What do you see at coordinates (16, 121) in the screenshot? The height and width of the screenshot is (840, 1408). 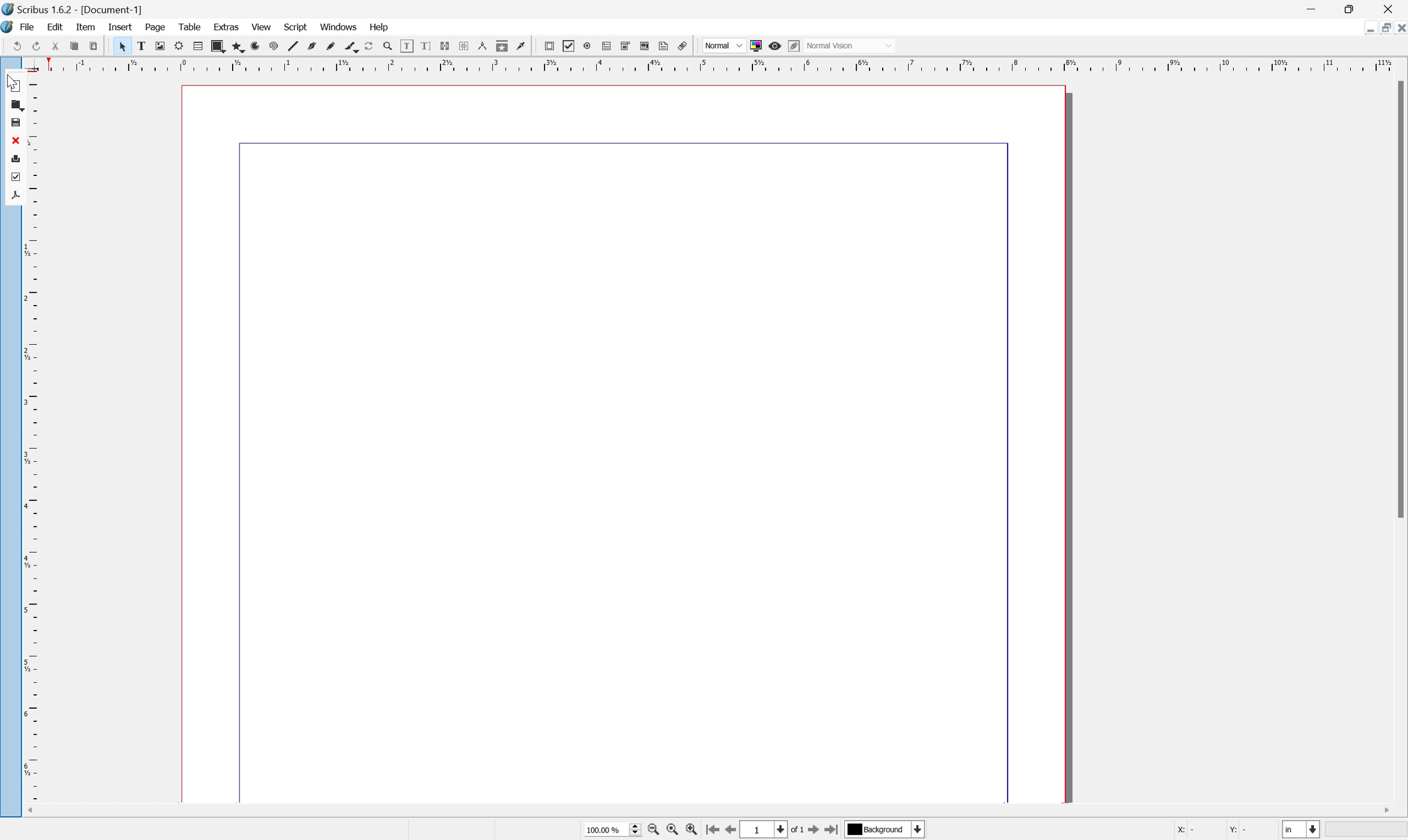 I see `save` at bounding box center [16, 121].